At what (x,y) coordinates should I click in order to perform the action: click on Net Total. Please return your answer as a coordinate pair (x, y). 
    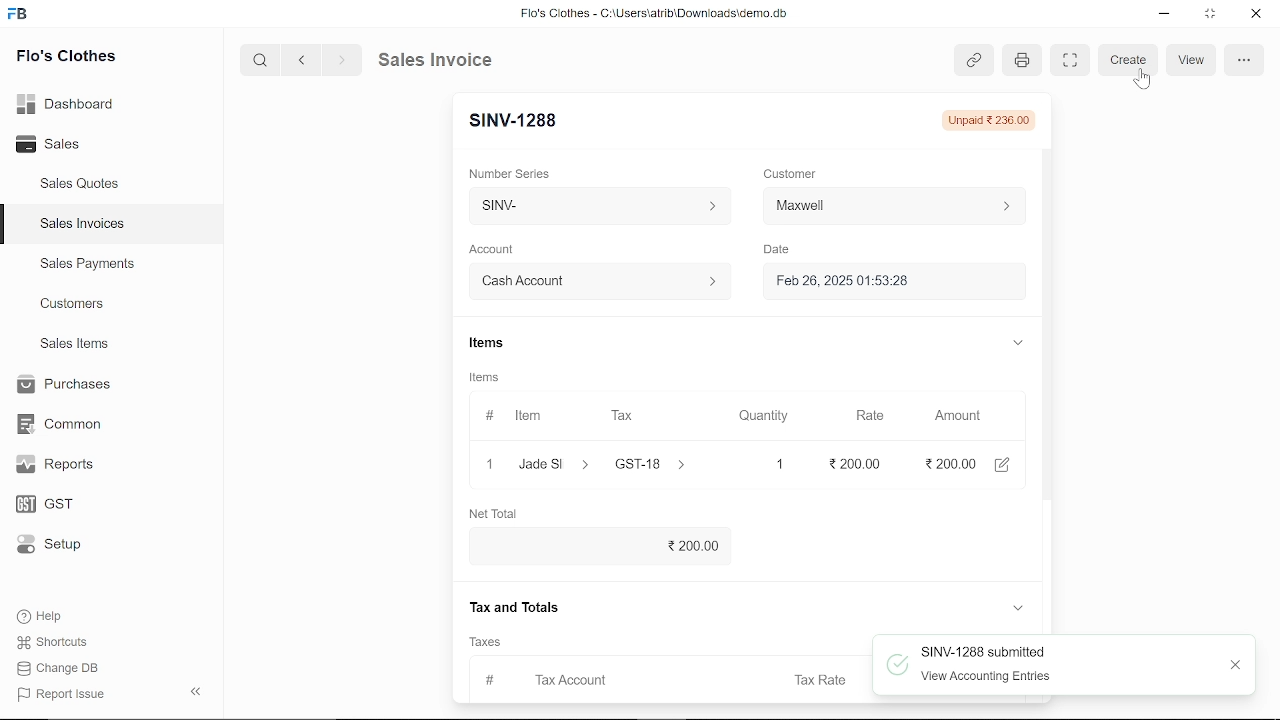
    Looking at the image, I should click on (499, 512).